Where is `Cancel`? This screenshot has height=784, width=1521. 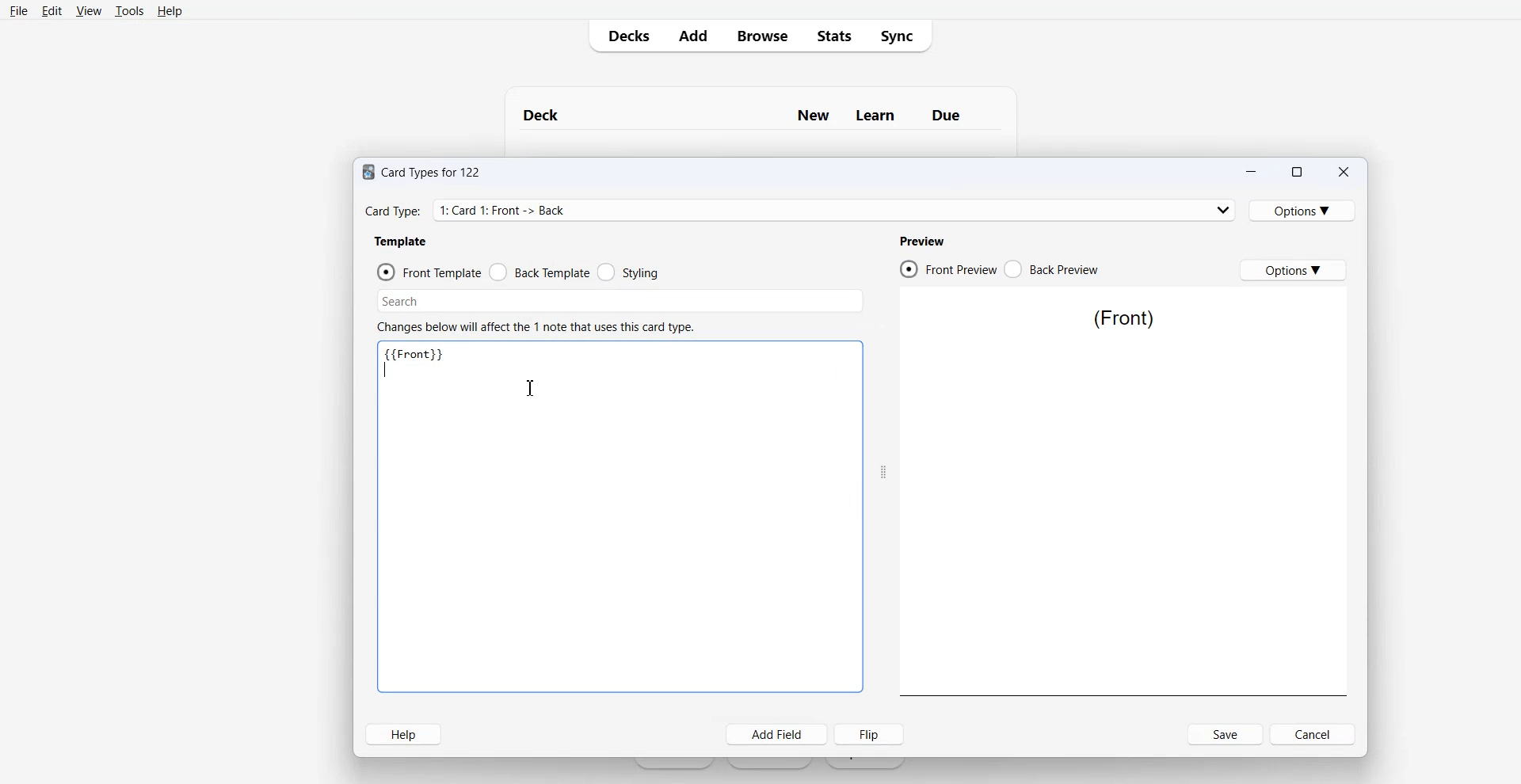 Cancel is located at coordinates (1313, 734).